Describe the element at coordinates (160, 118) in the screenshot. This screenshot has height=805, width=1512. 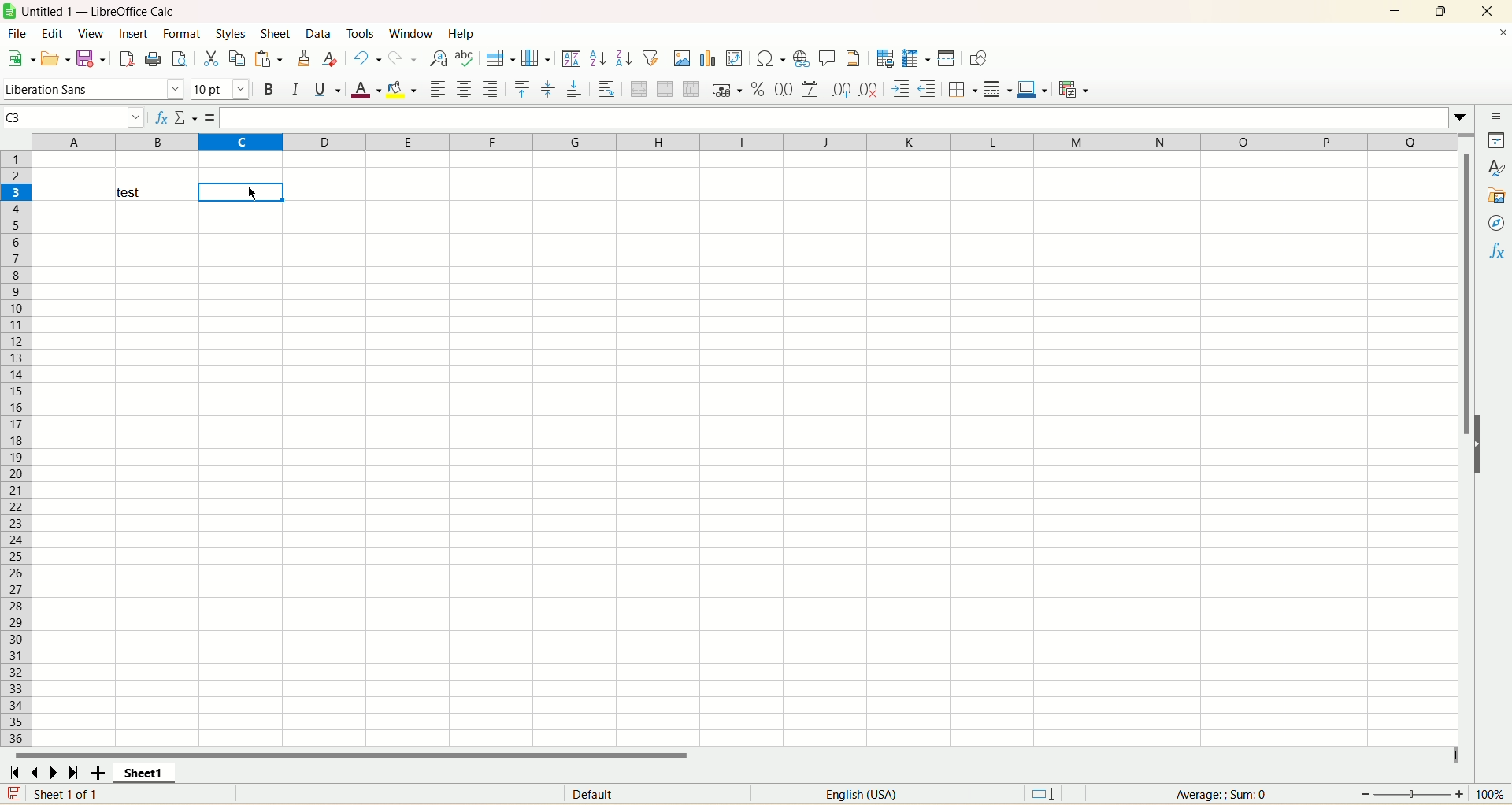
I see `function wizard` at that location.